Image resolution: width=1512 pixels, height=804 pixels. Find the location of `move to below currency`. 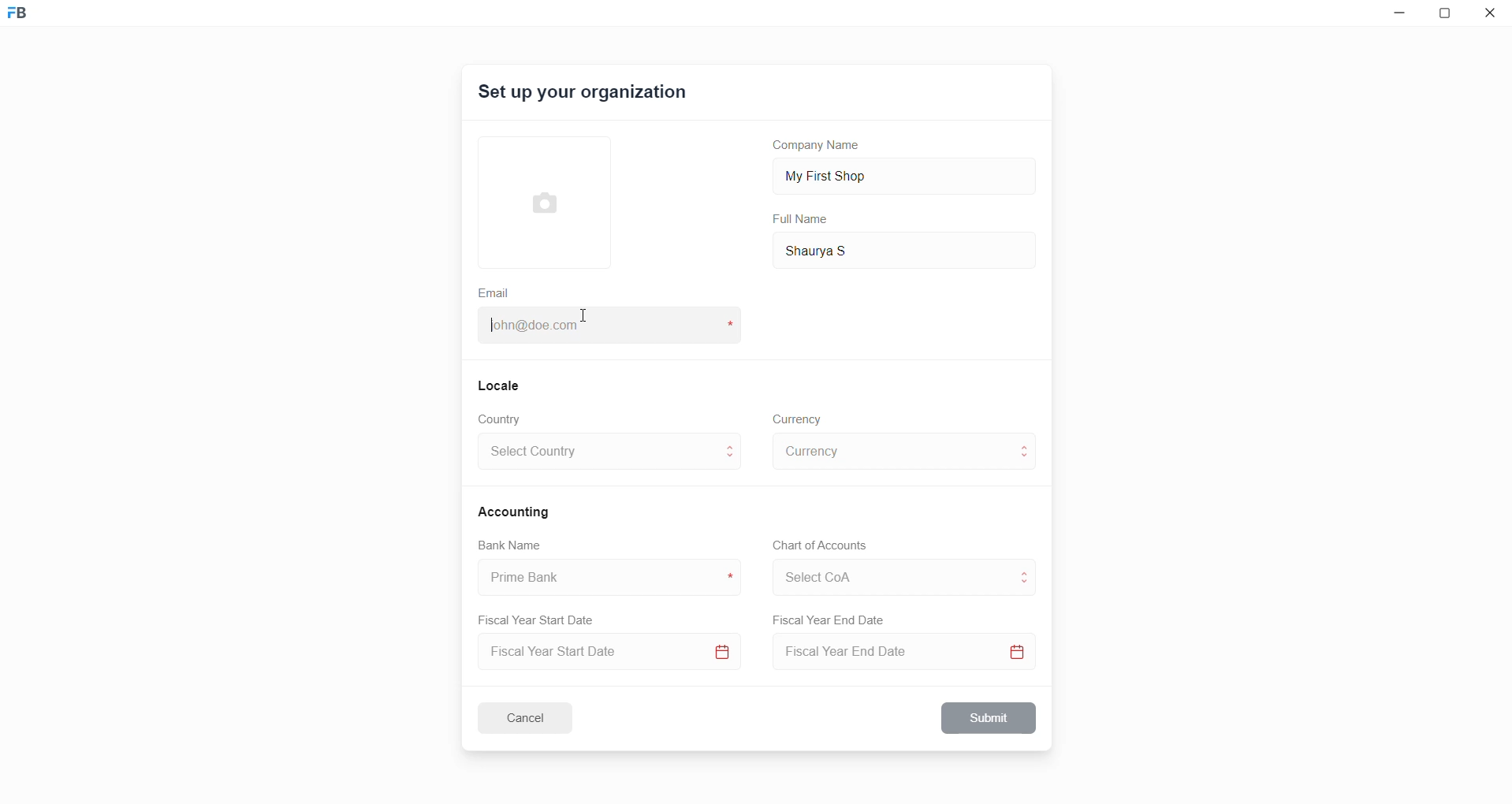

move to below currency is located at coordinates (1028, 460).